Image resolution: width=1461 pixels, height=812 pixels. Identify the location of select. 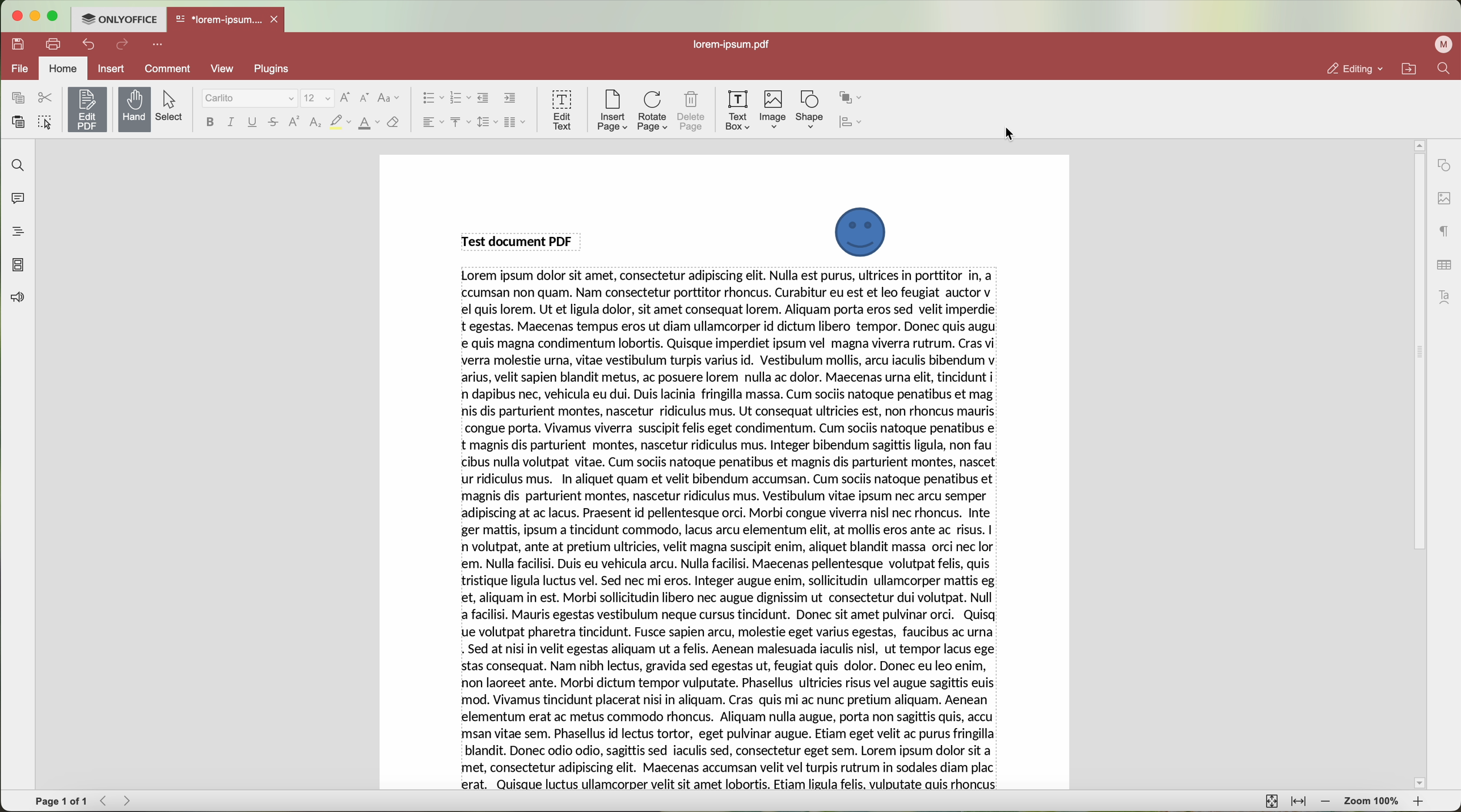
(174, 106).